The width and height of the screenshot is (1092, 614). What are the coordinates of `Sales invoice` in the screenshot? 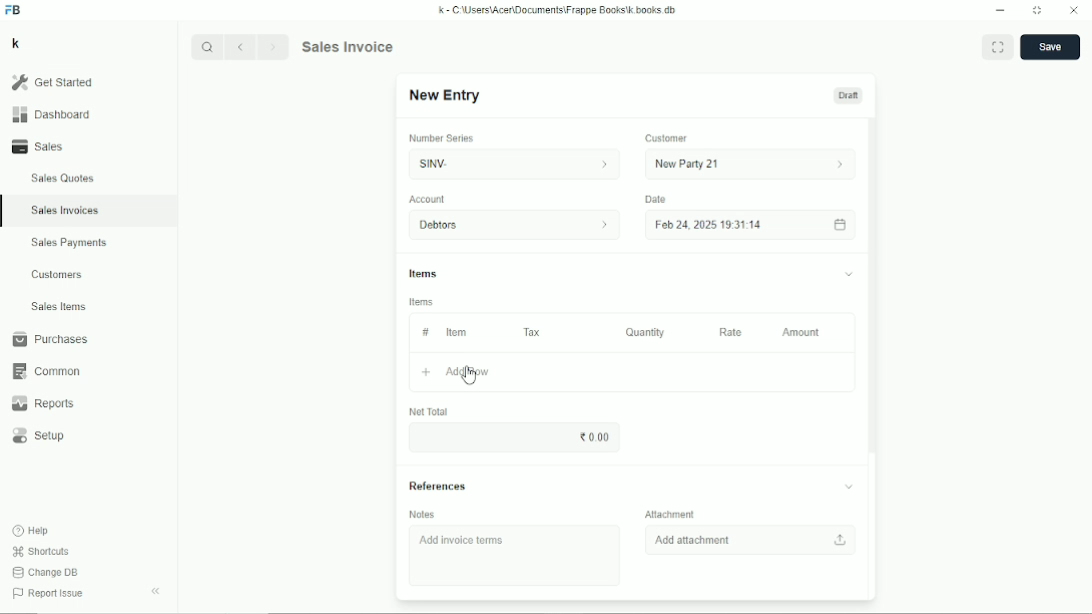 It's located at (347, 46).